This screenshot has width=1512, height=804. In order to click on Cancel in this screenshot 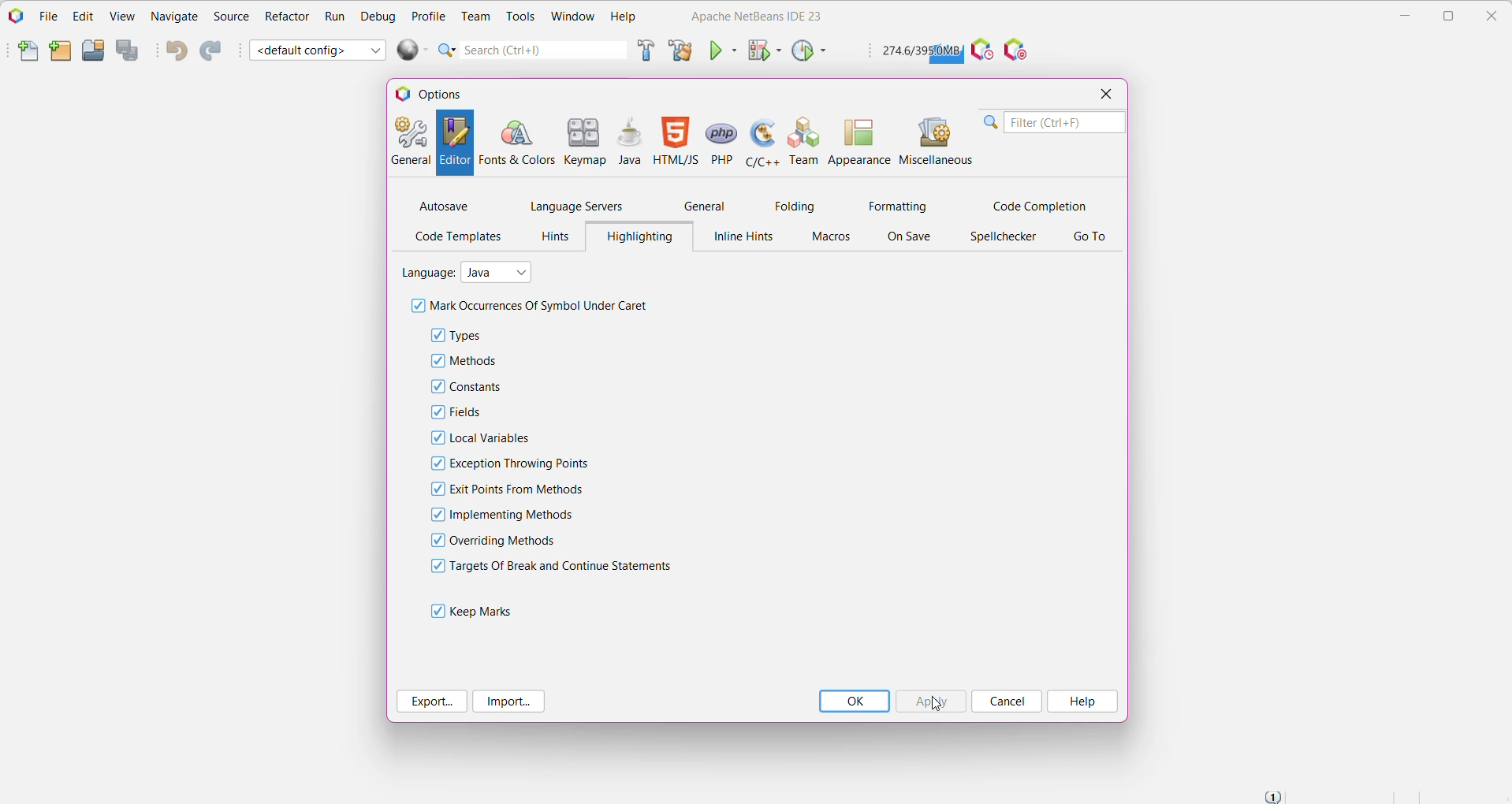, I will do `click(1007, 702)`.